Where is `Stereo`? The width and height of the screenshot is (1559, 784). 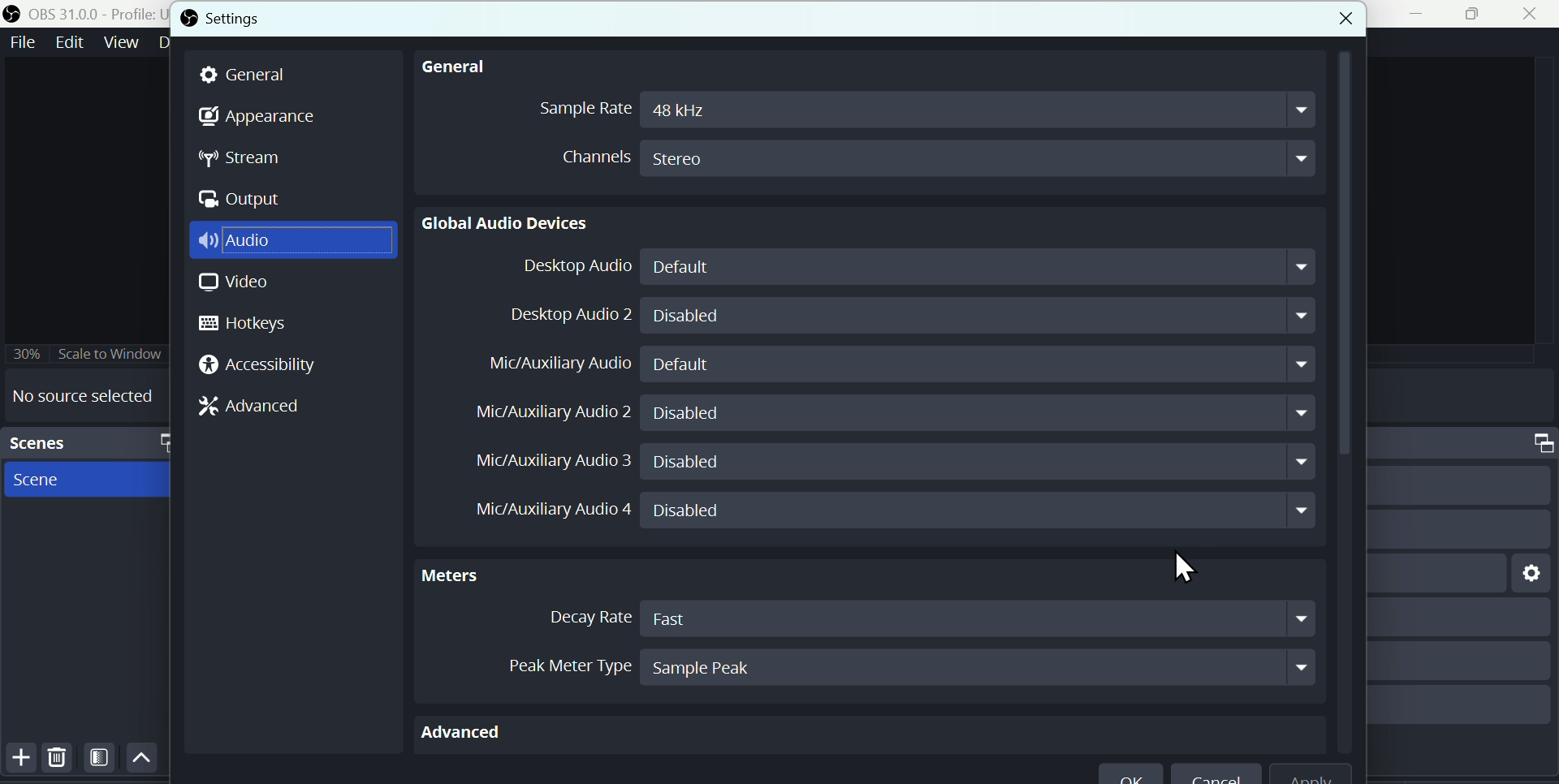 Stereo is located at coordinates (983, 160).